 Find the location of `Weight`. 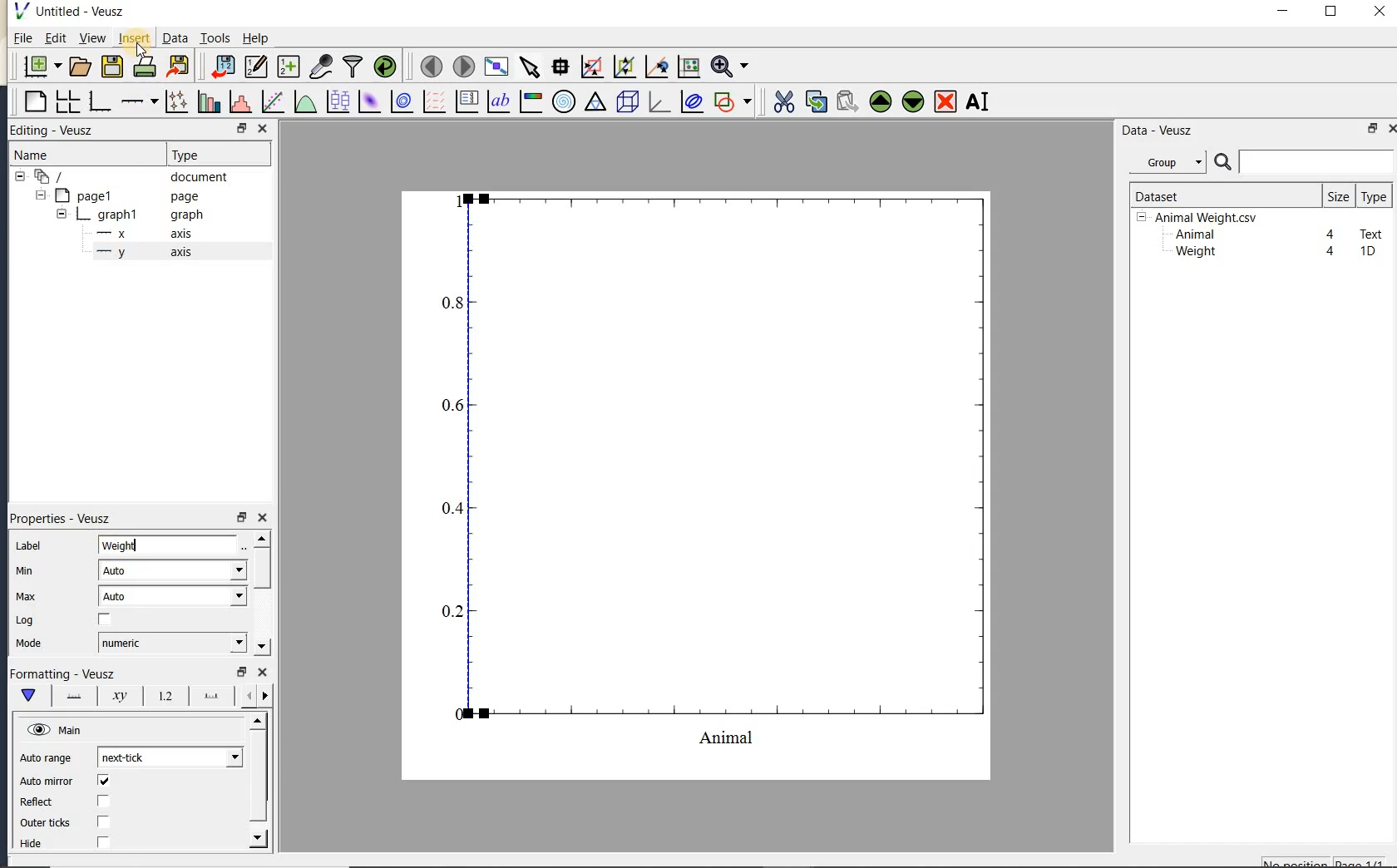

Weight is located at coordinates (1194, 253).